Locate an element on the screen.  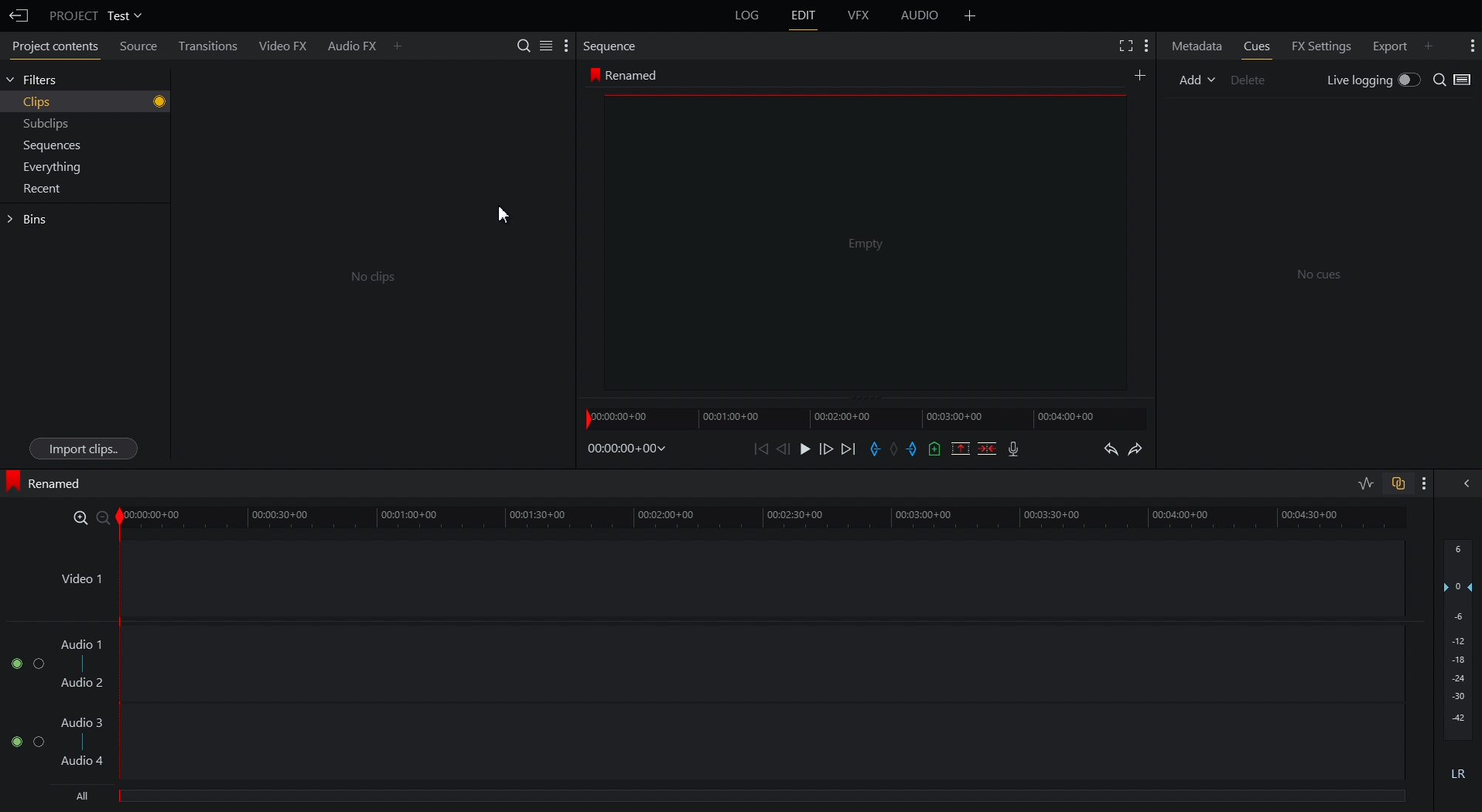
Audio 1 is located at coordinates (84, 644).